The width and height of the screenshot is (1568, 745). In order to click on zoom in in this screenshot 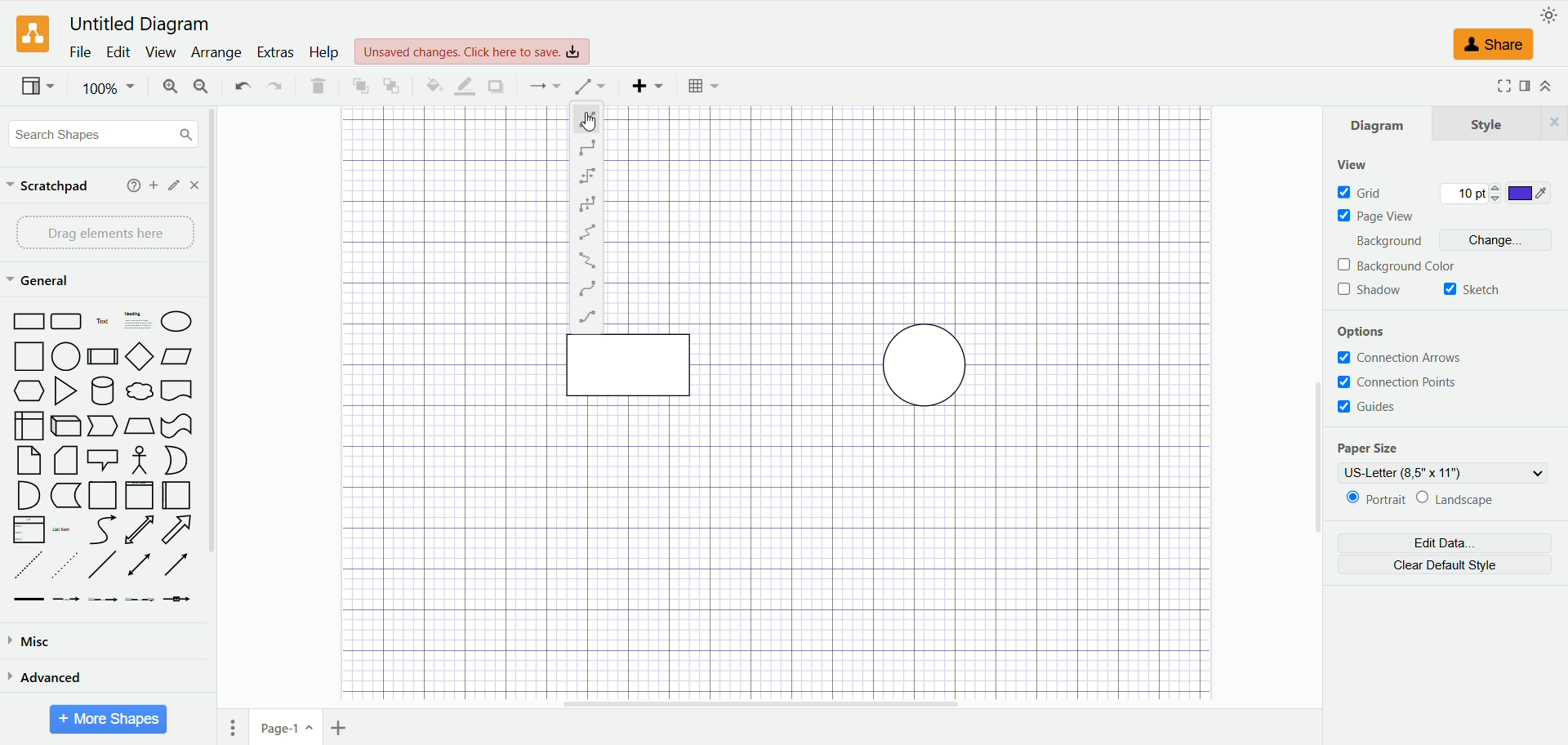, I will do `click(170, 87)`.